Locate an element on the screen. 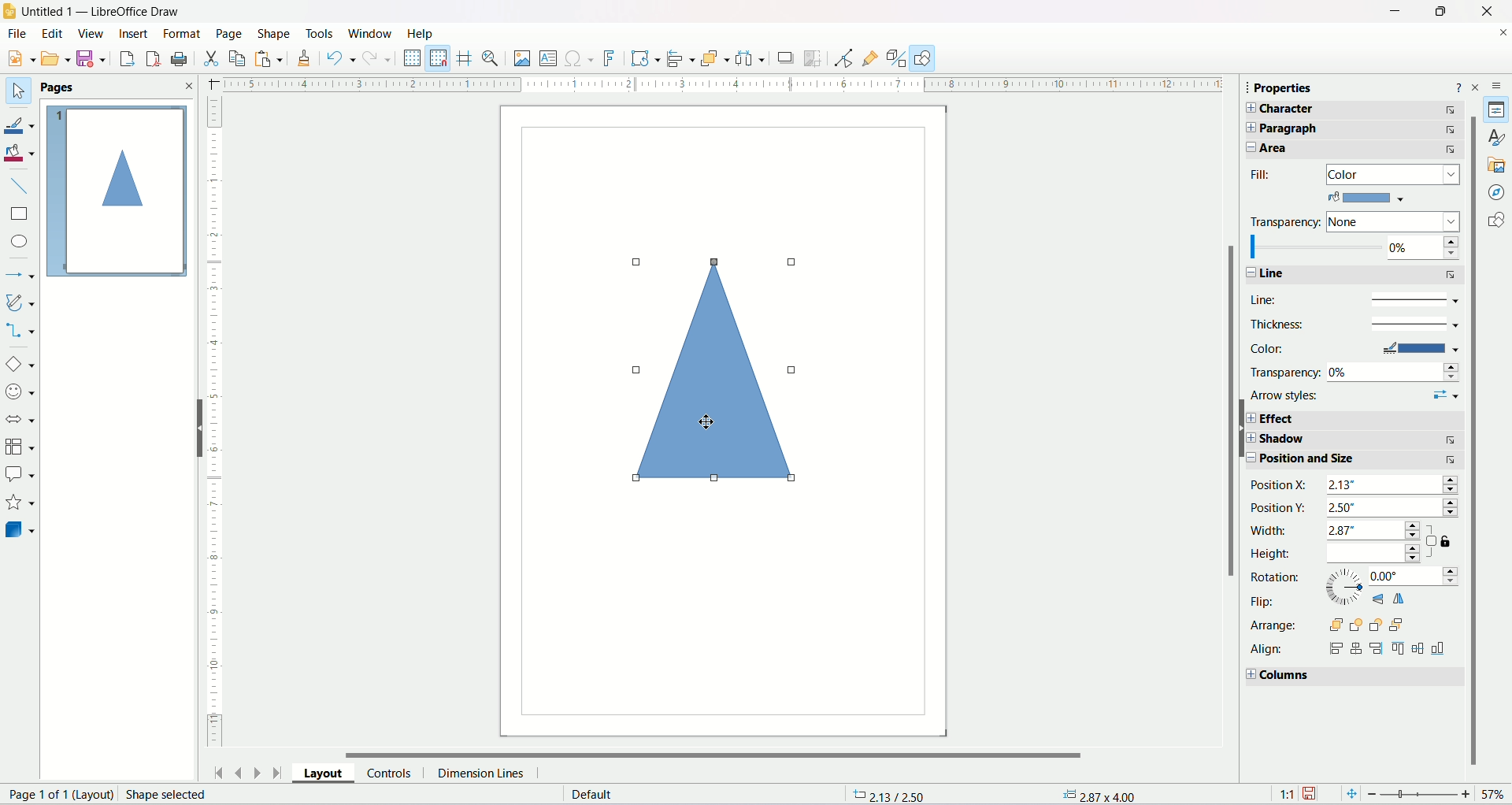  Crop image is located at coordinates (813, 58).